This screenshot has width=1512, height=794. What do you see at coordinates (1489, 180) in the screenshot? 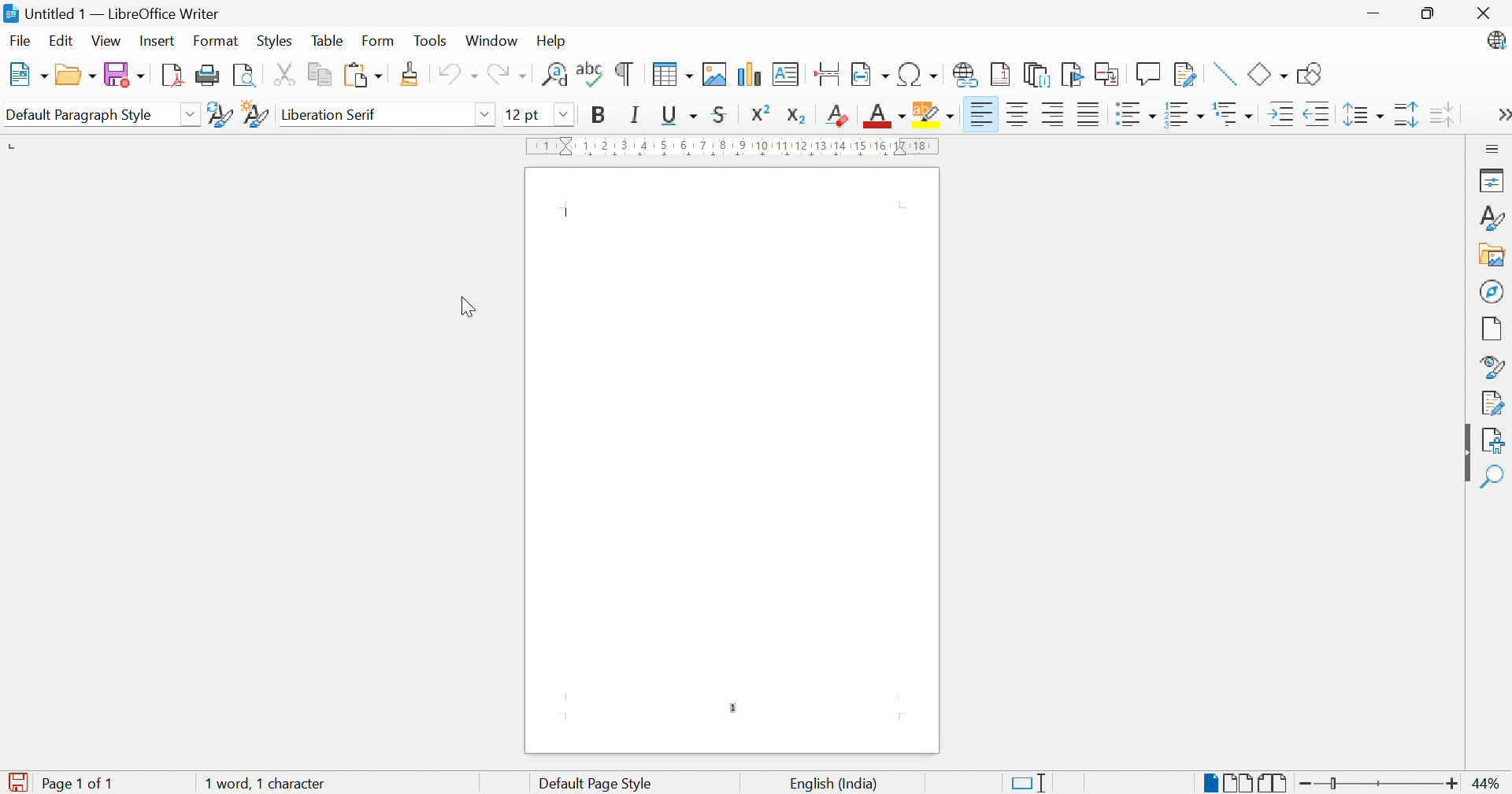
I see `Properties` at bounding box center [1489, 180].